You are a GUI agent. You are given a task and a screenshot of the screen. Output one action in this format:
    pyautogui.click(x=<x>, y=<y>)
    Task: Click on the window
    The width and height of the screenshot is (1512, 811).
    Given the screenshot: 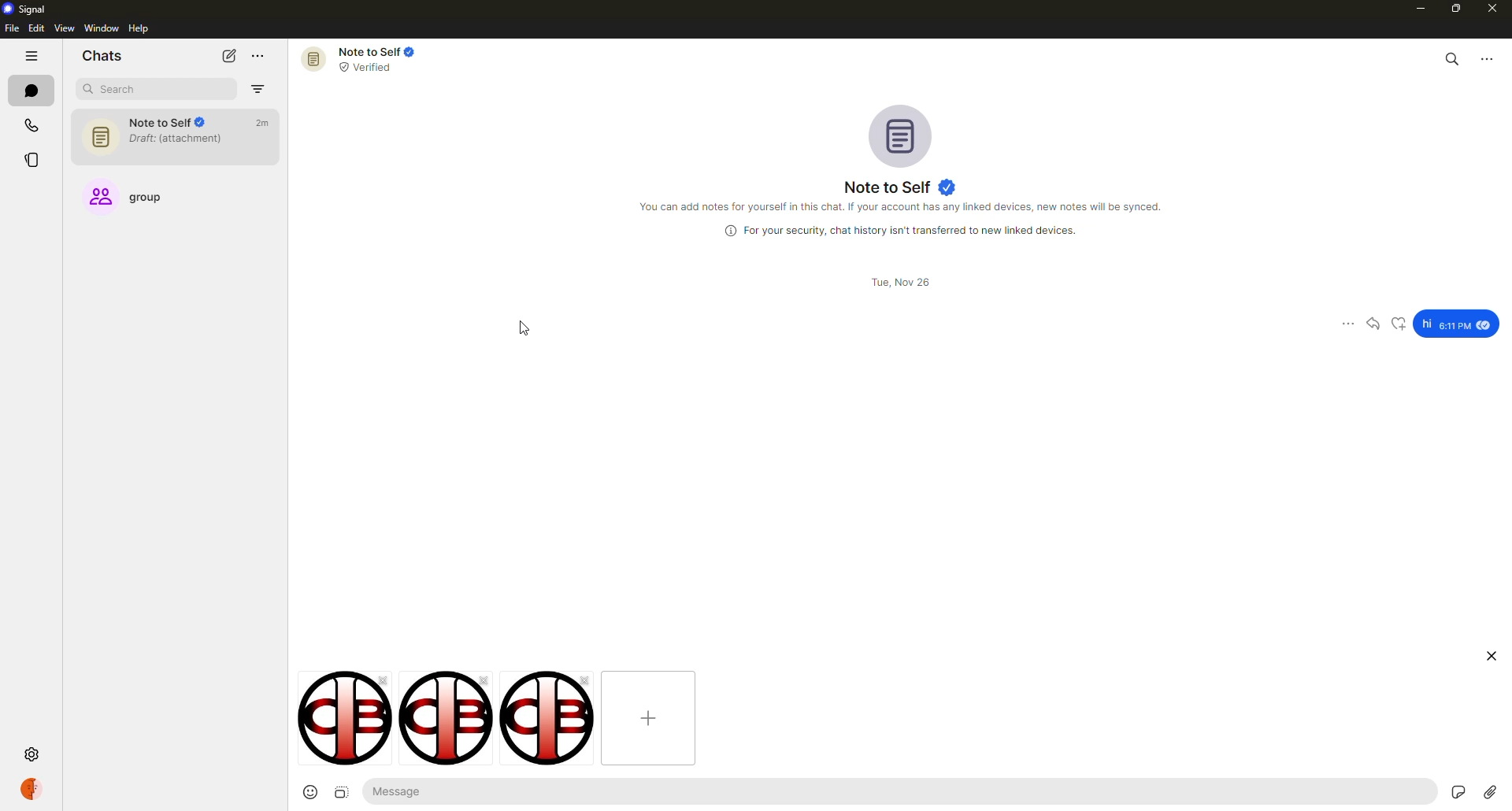 What is the action you would take?
    pyautogui.click(x=102, y=29)
    